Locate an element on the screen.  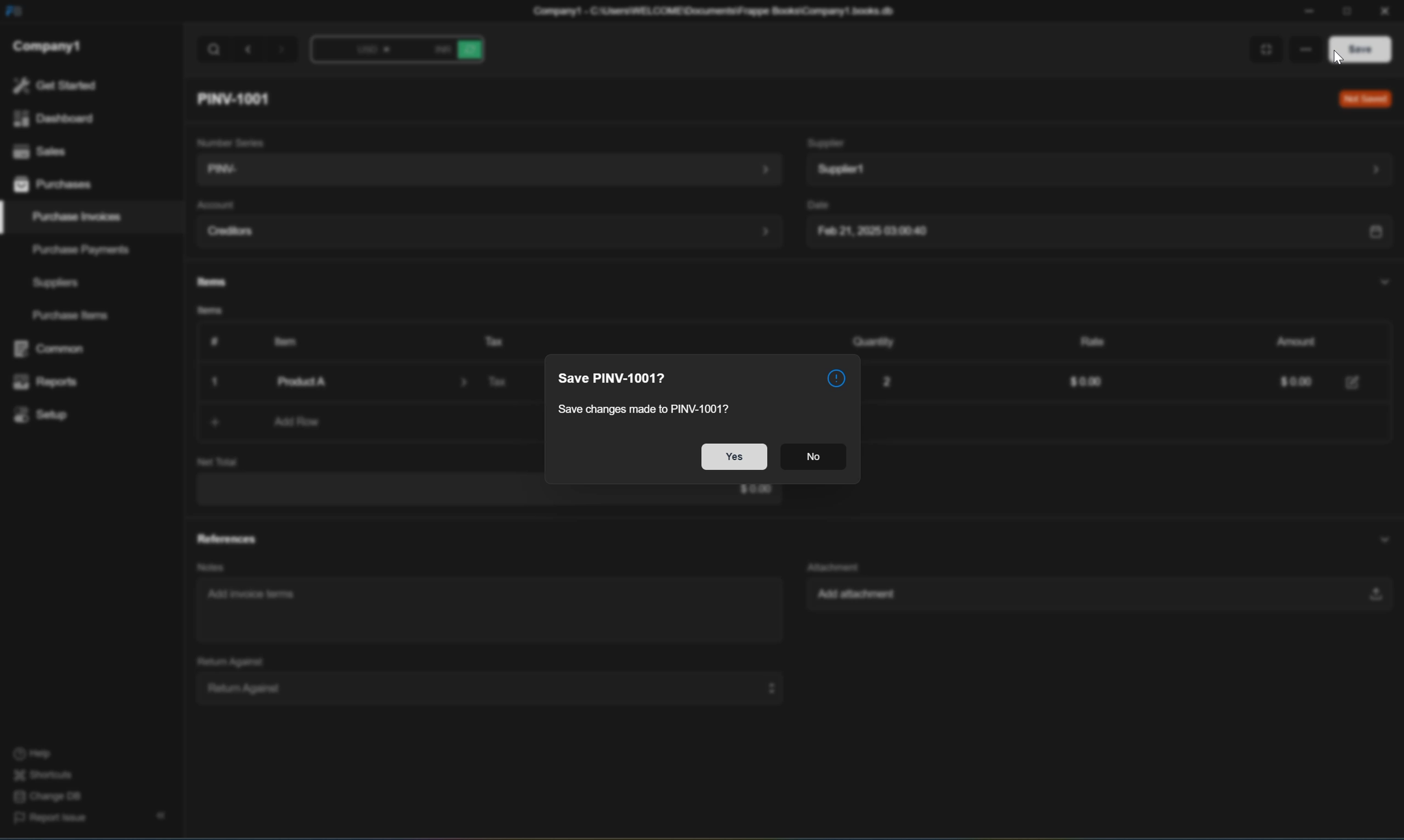
Amount is located at coordinates (1290, 340).